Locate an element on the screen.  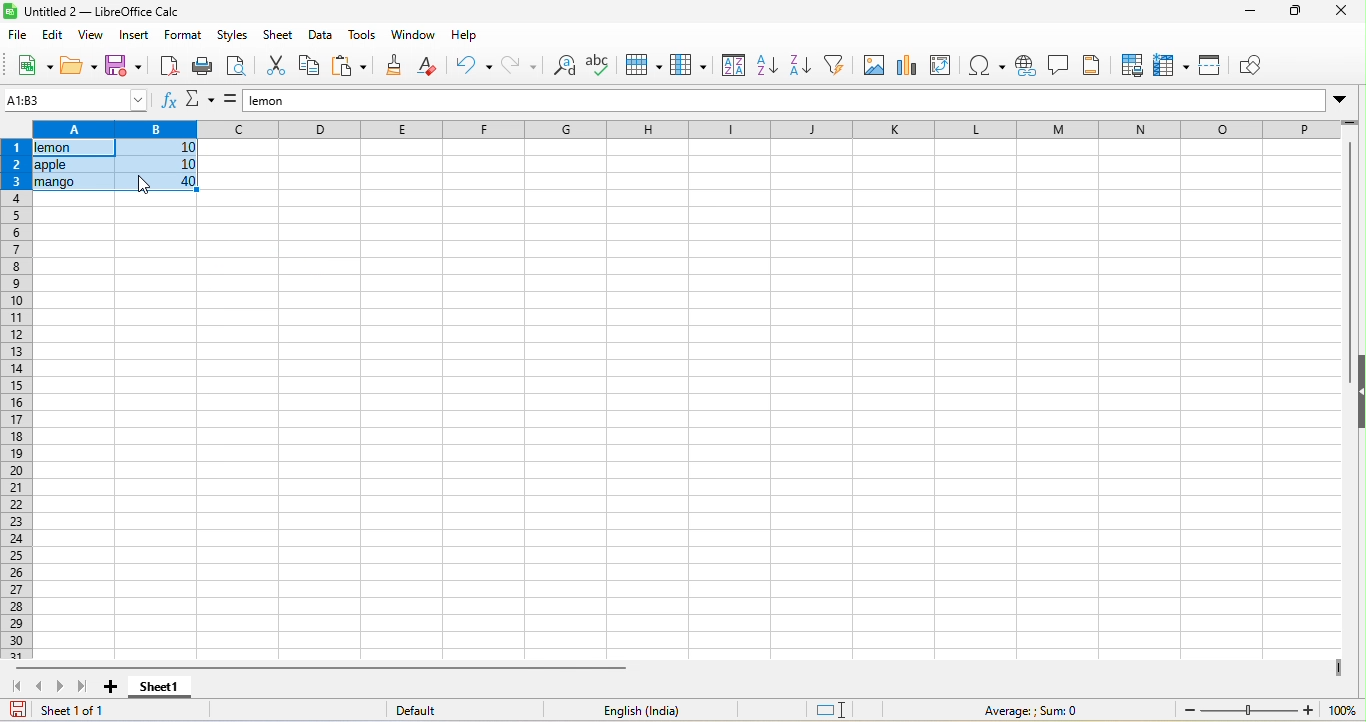
logo is located at coordinates (11, 12).